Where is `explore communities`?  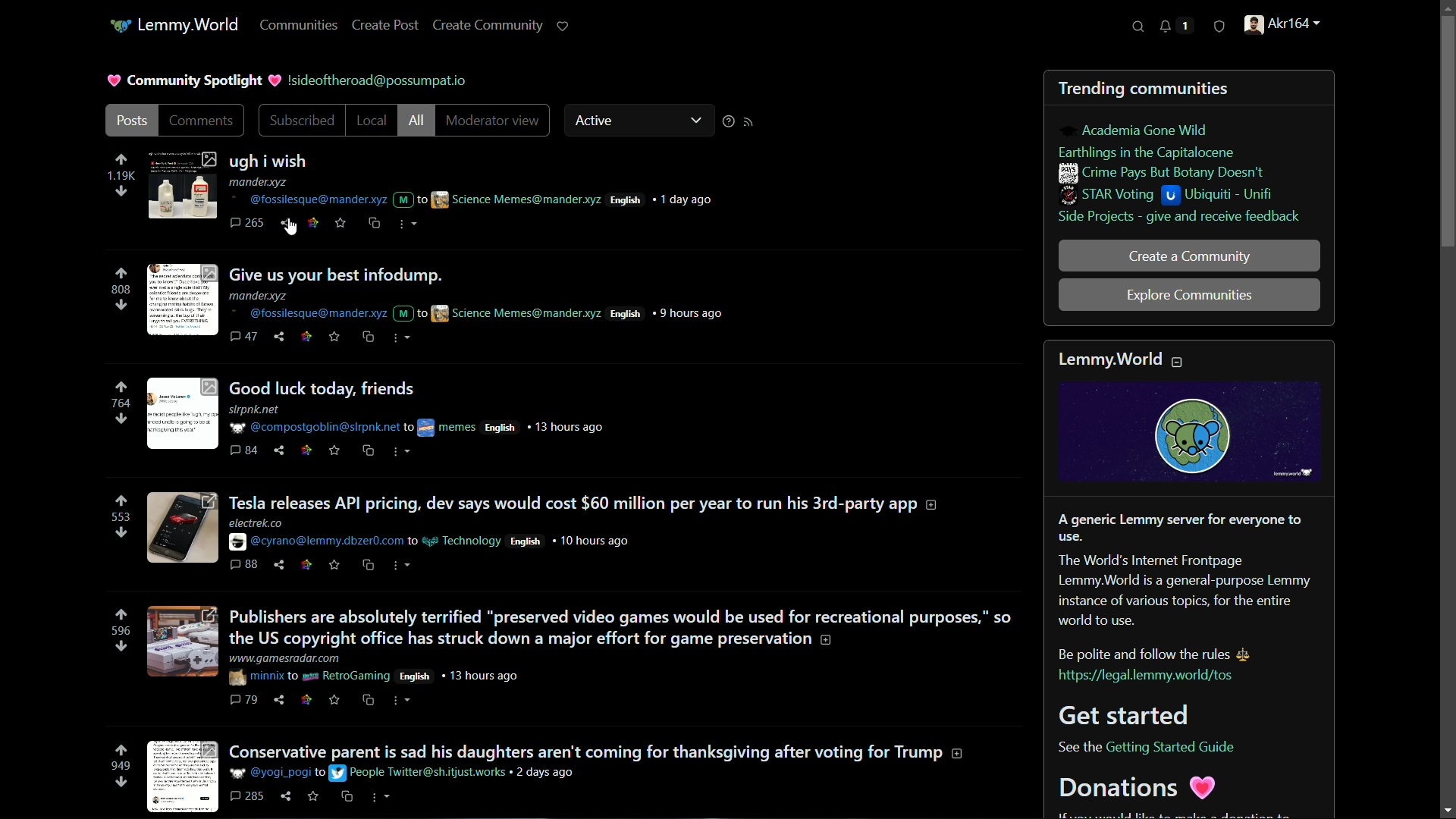 explore communities is located at coordinates (1191, 294).